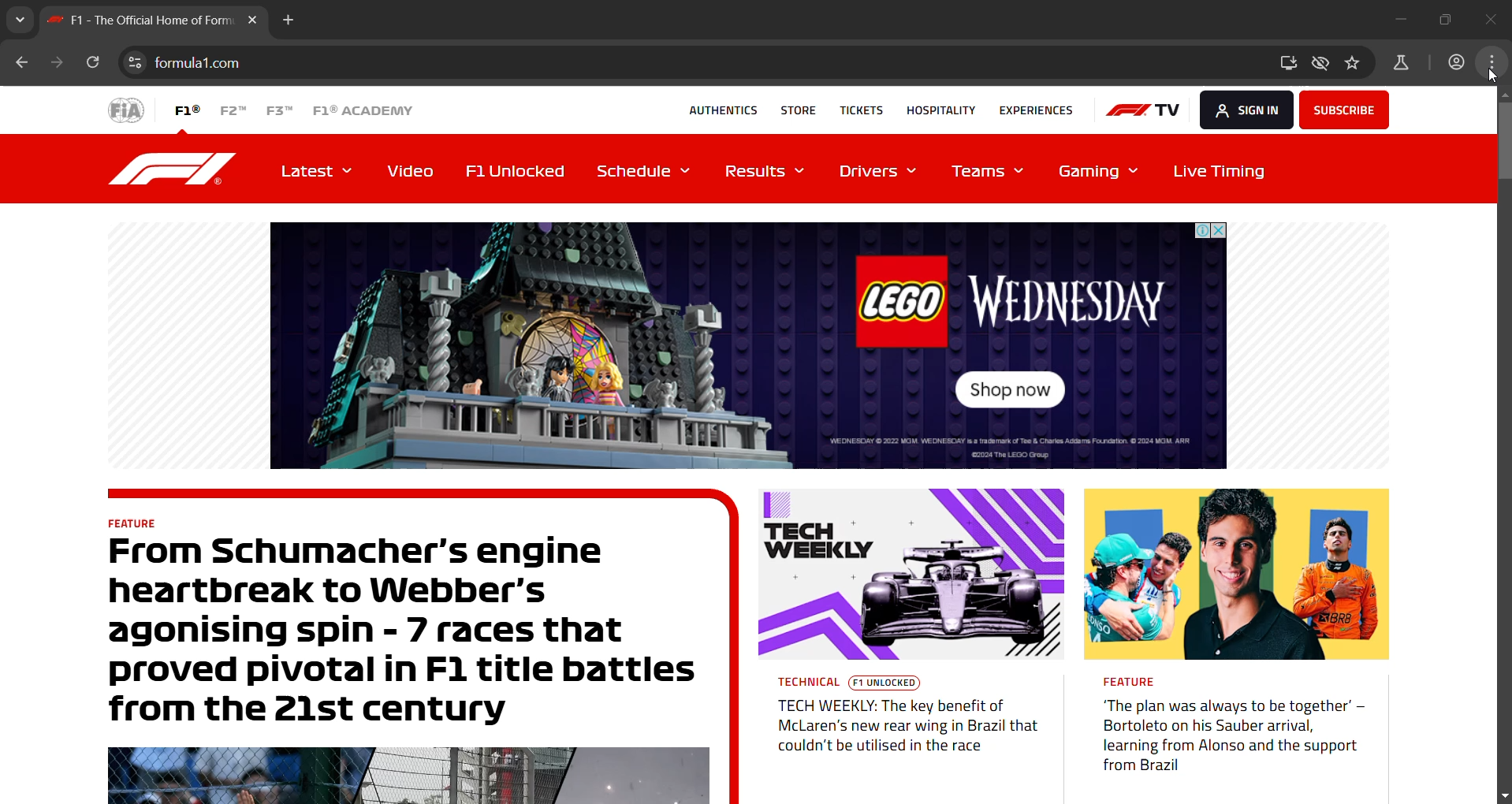  What do you see at coordinates (798, 109) in the screenshot?
I see `STORE` at bounding box center [798, 109].